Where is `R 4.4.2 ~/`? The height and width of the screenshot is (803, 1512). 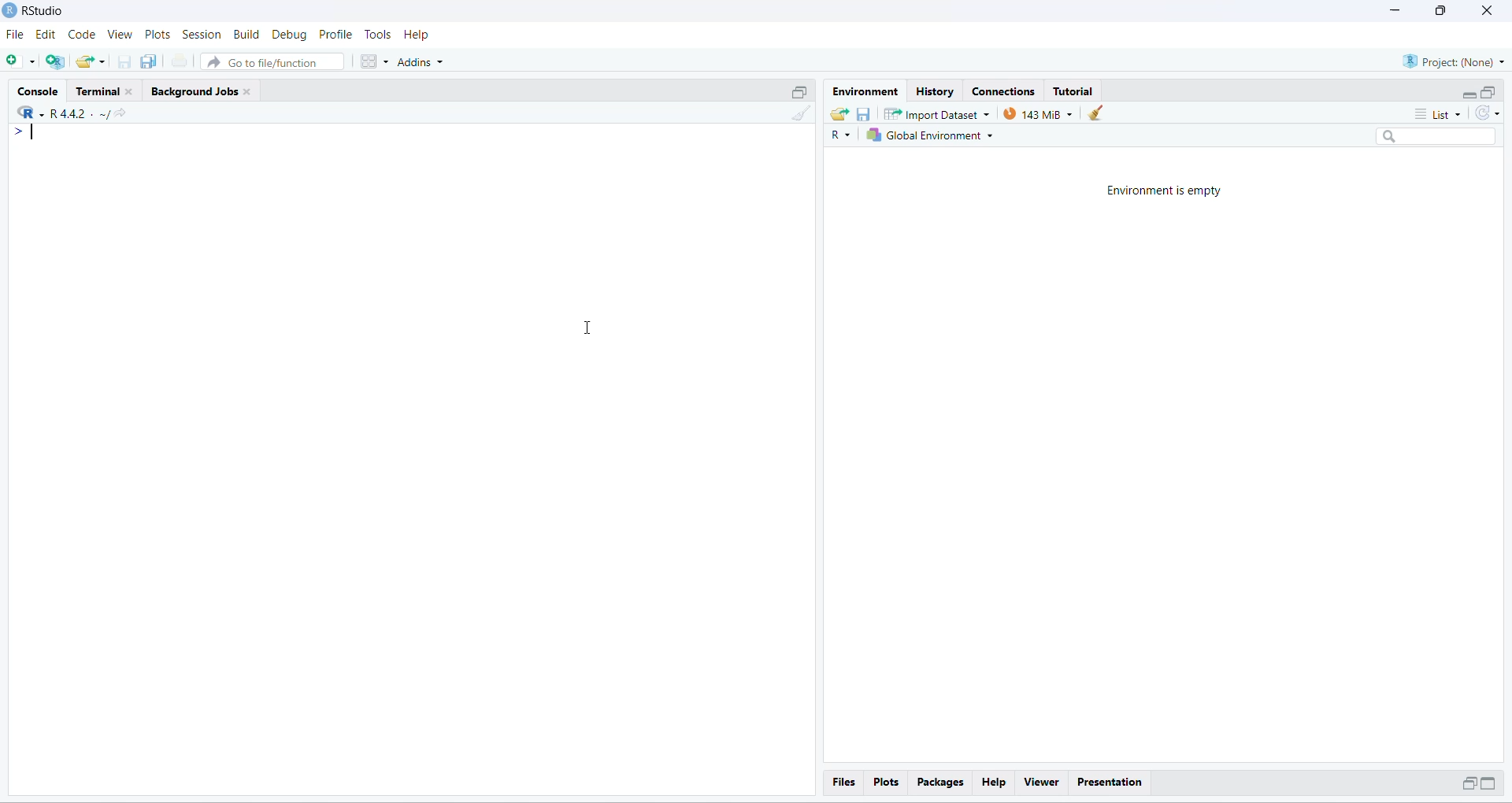 R 4.4.2 ~/ is located at coordinates (79, 115).